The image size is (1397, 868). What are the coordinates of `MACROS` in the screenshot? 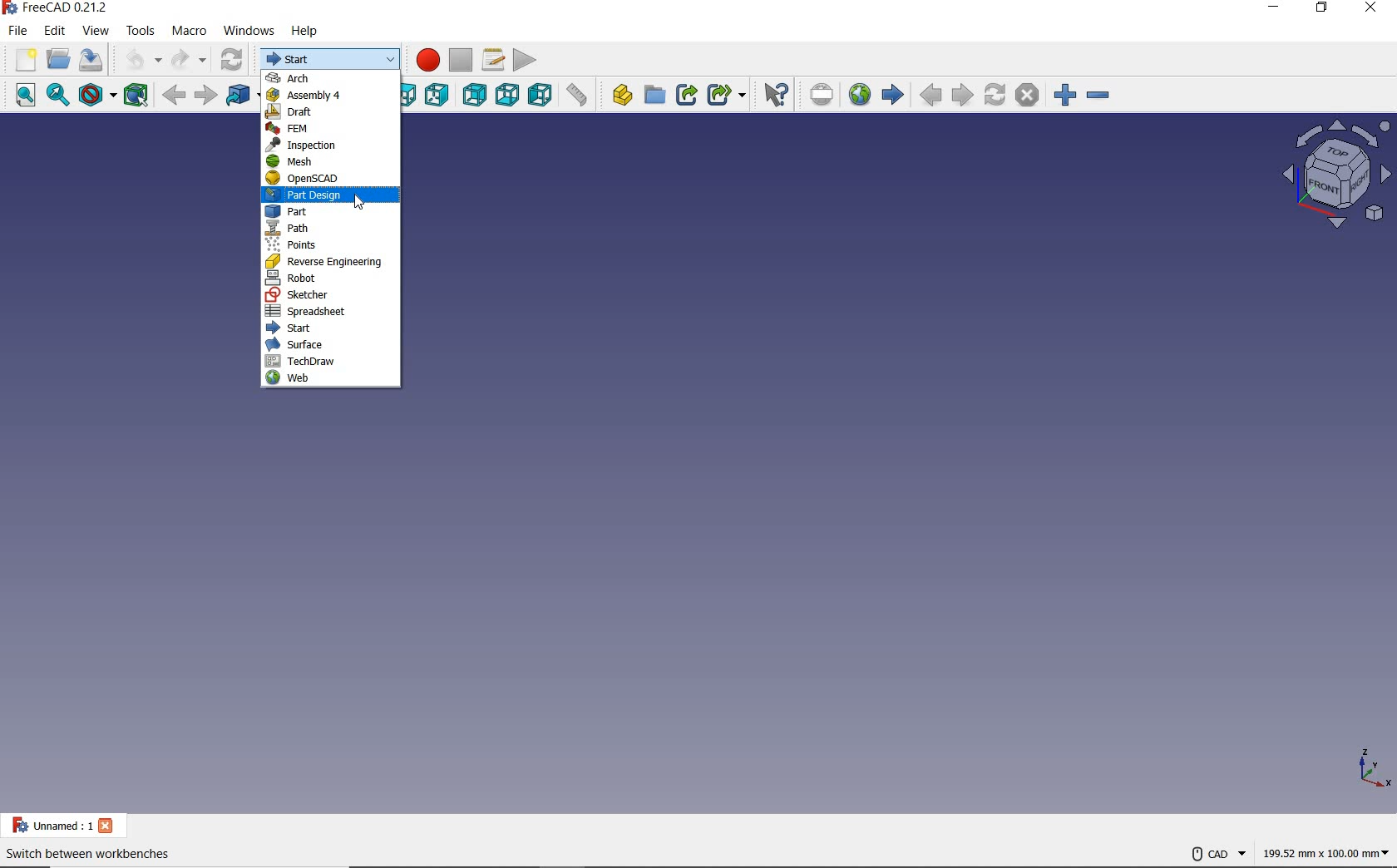 It's located at (492, 60).